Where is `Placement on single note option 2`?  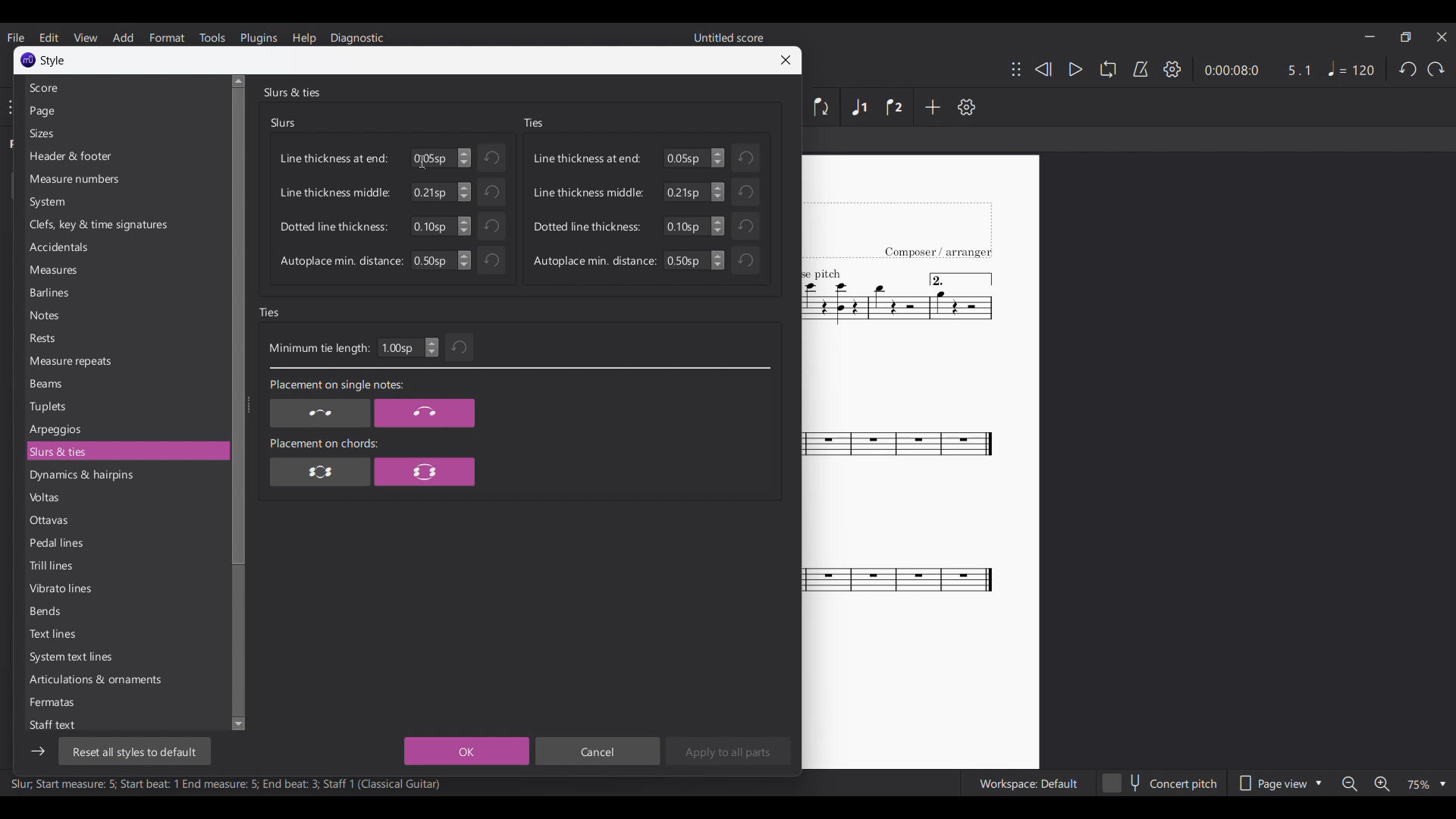 Placement on single note option 2 is located at coordinates (425, 413).